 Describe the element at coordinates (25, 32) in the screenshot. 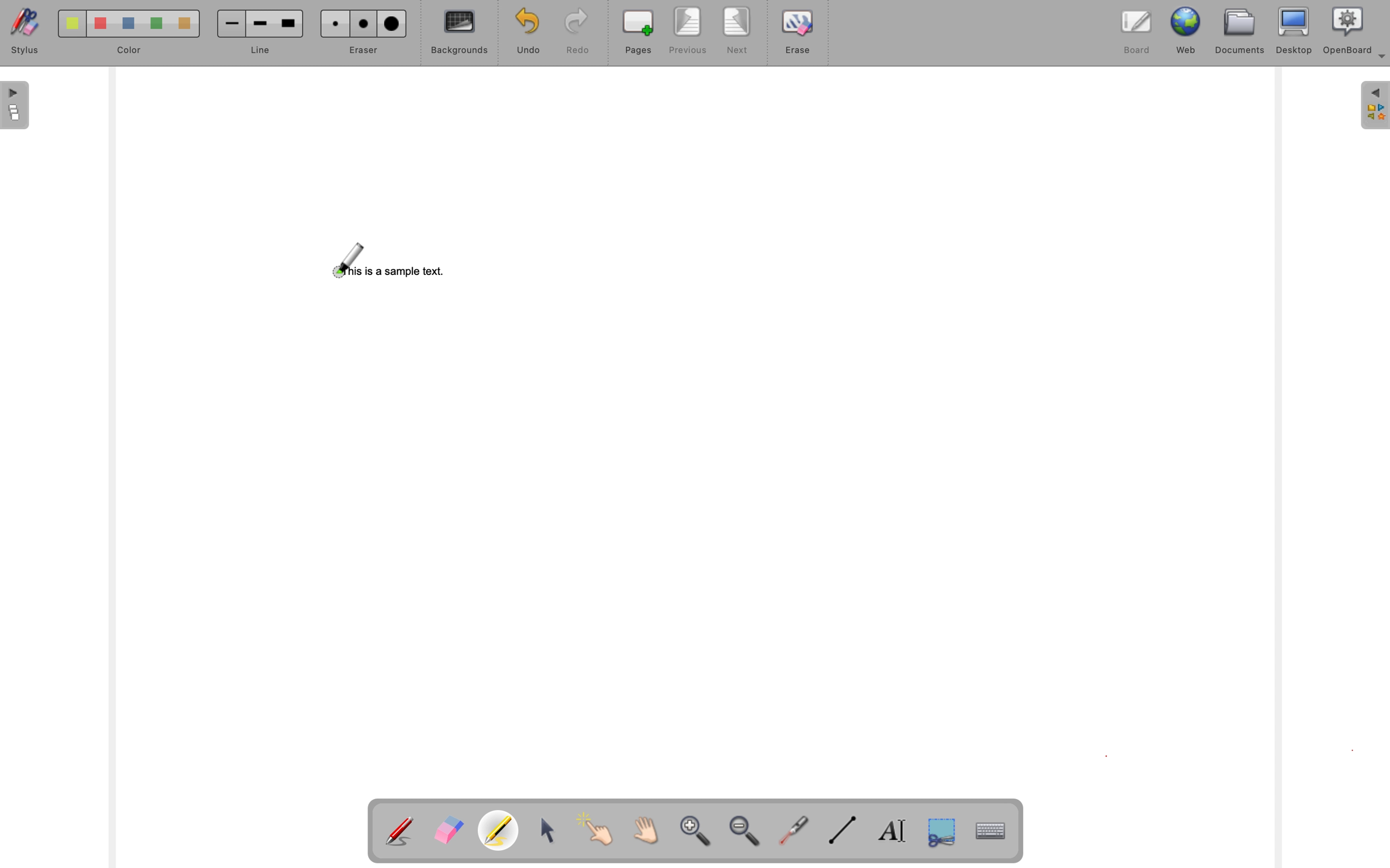

I see `stylus` at that location.